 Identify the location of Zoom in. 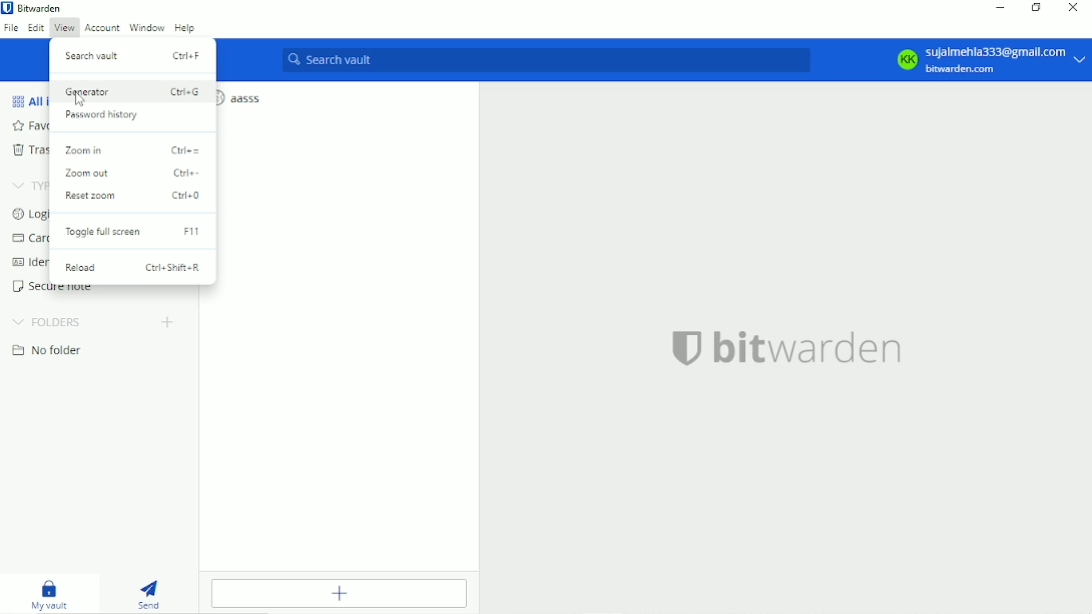
(135, 150).